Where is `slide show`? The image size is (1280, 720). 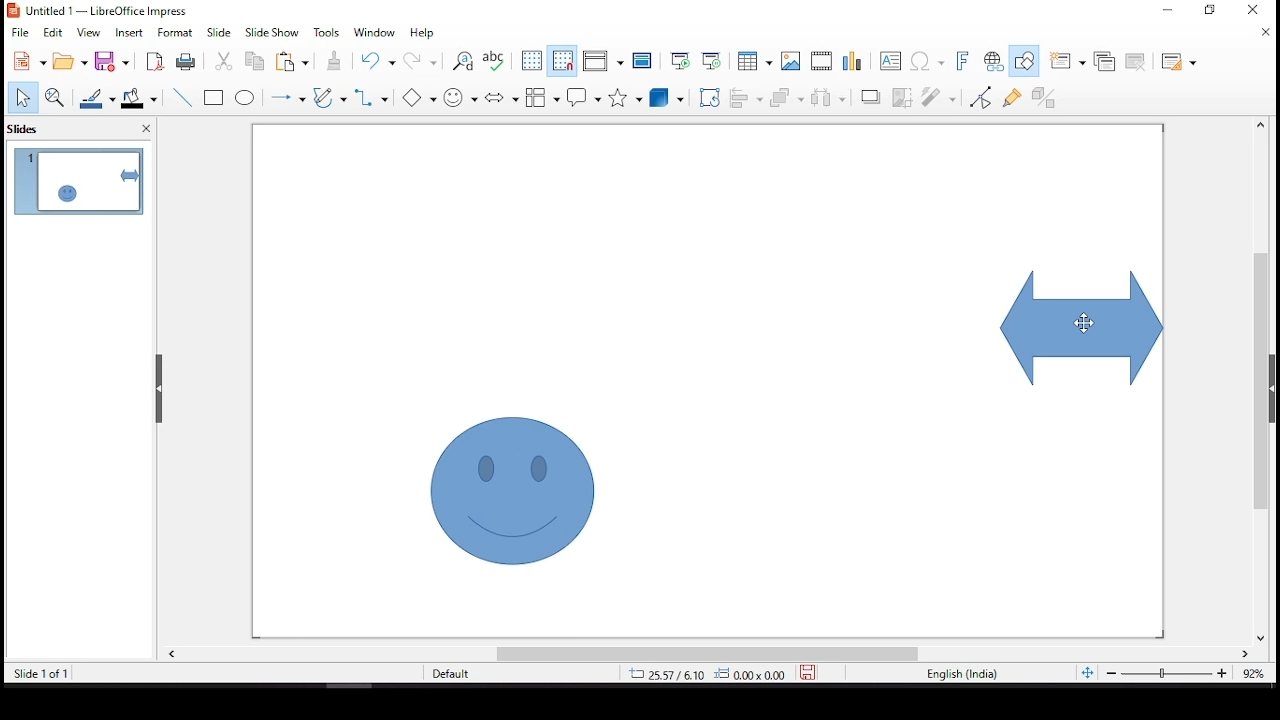
slide show is located at coordinates (270, 31).